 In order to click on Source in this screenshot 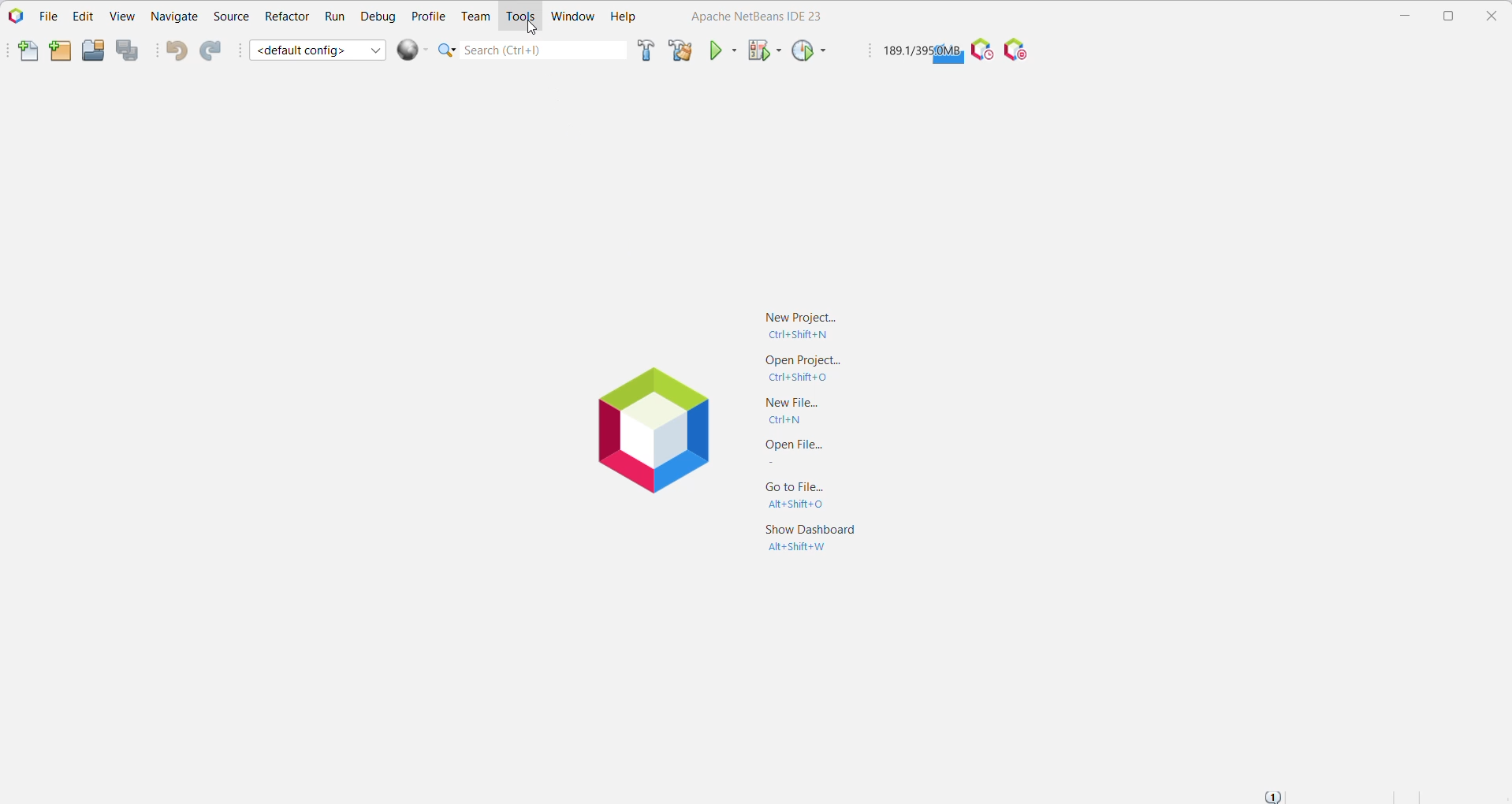, I will do `click(230, 17)`.